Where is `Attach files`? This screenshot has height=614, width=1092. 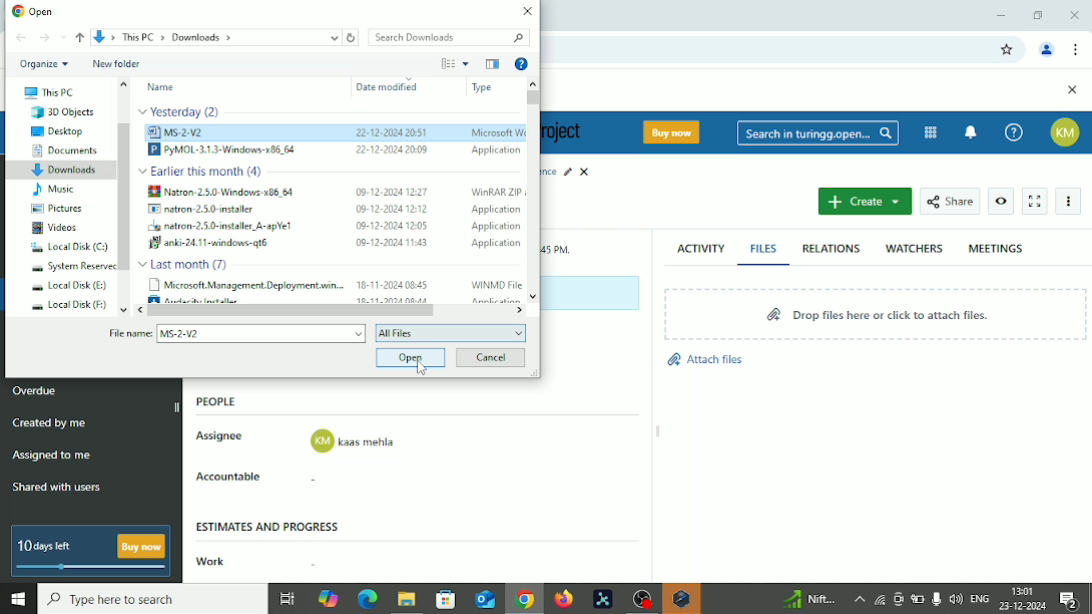 Attach files is located at coordinates (703, 355).